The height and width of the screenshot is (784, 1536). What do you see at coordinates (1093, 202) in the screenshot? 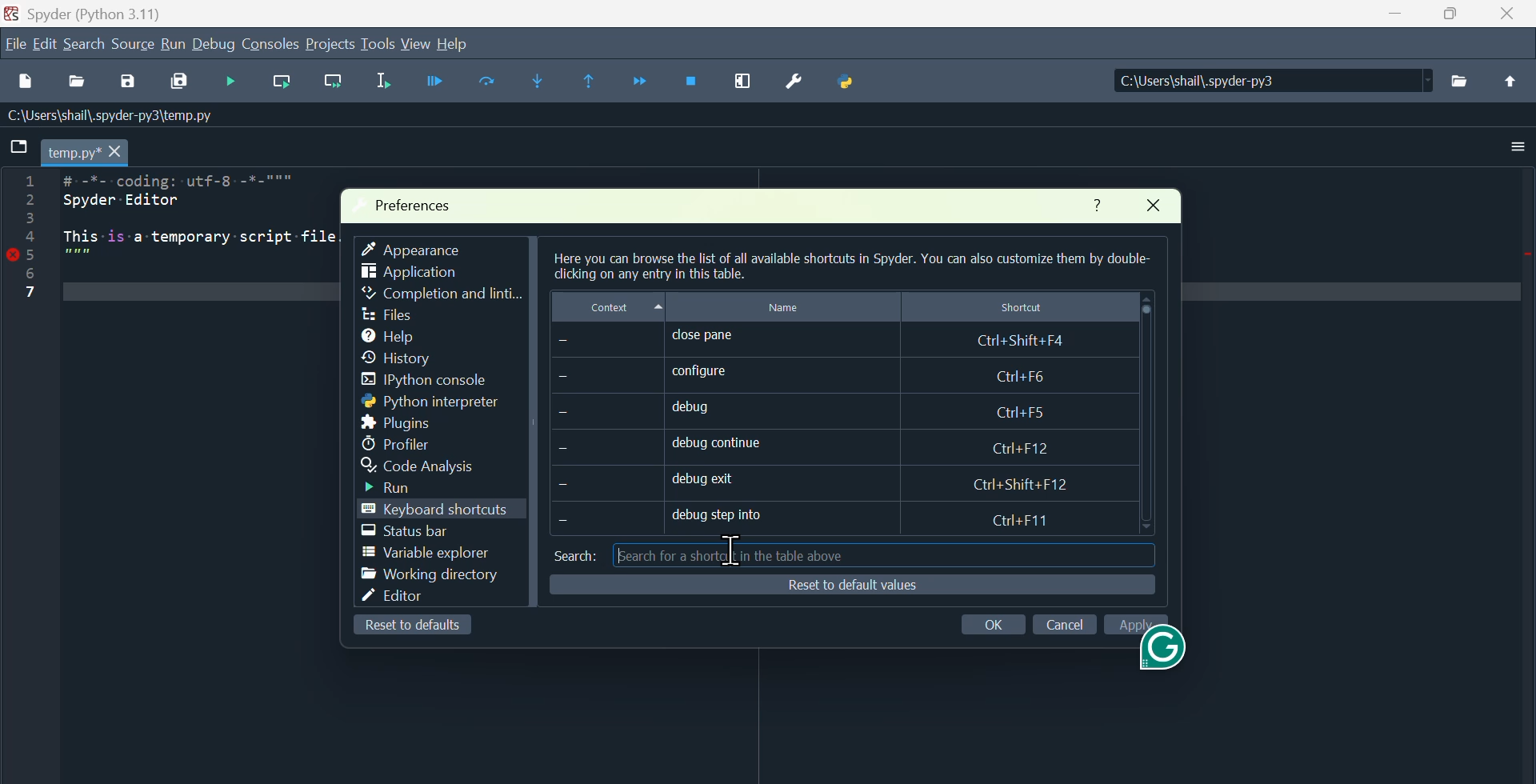
I see `Help` at bounding box center [1093, 202].